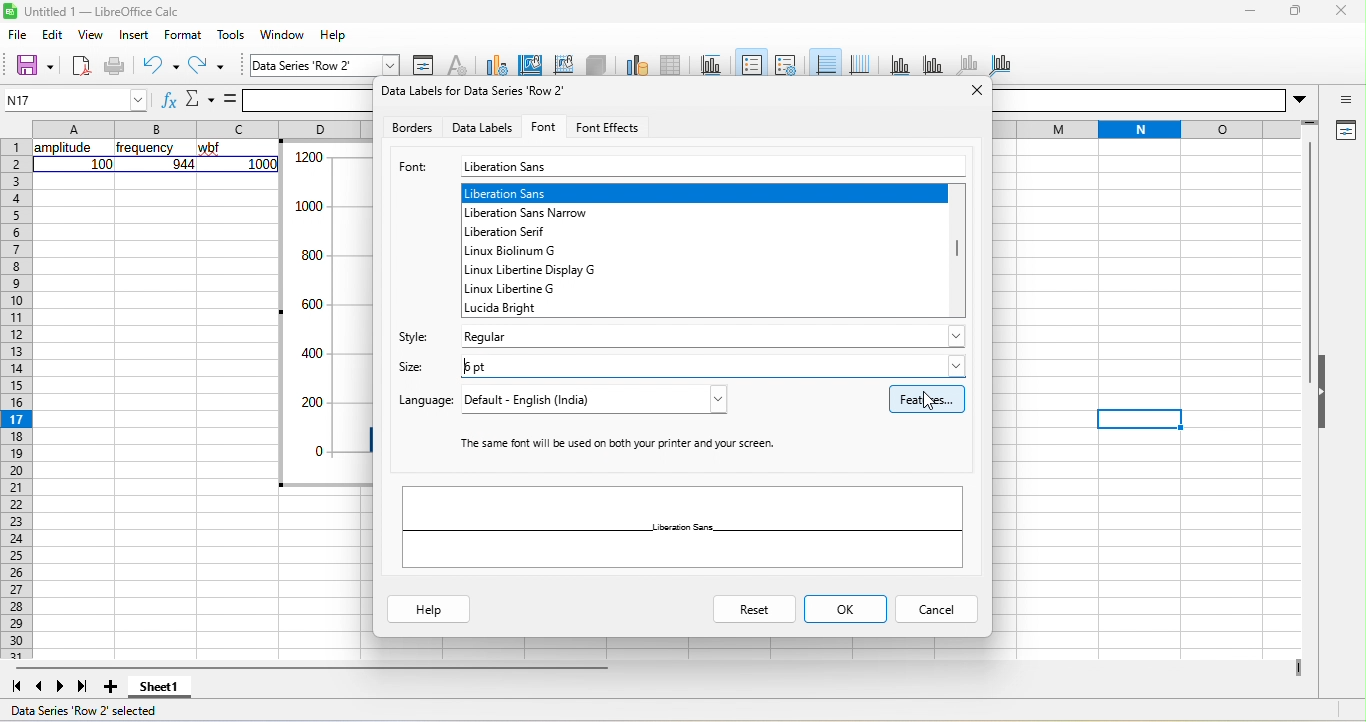 The width and height of the screenshot is (1366, 722). I want to click on help, so click(332, 34).